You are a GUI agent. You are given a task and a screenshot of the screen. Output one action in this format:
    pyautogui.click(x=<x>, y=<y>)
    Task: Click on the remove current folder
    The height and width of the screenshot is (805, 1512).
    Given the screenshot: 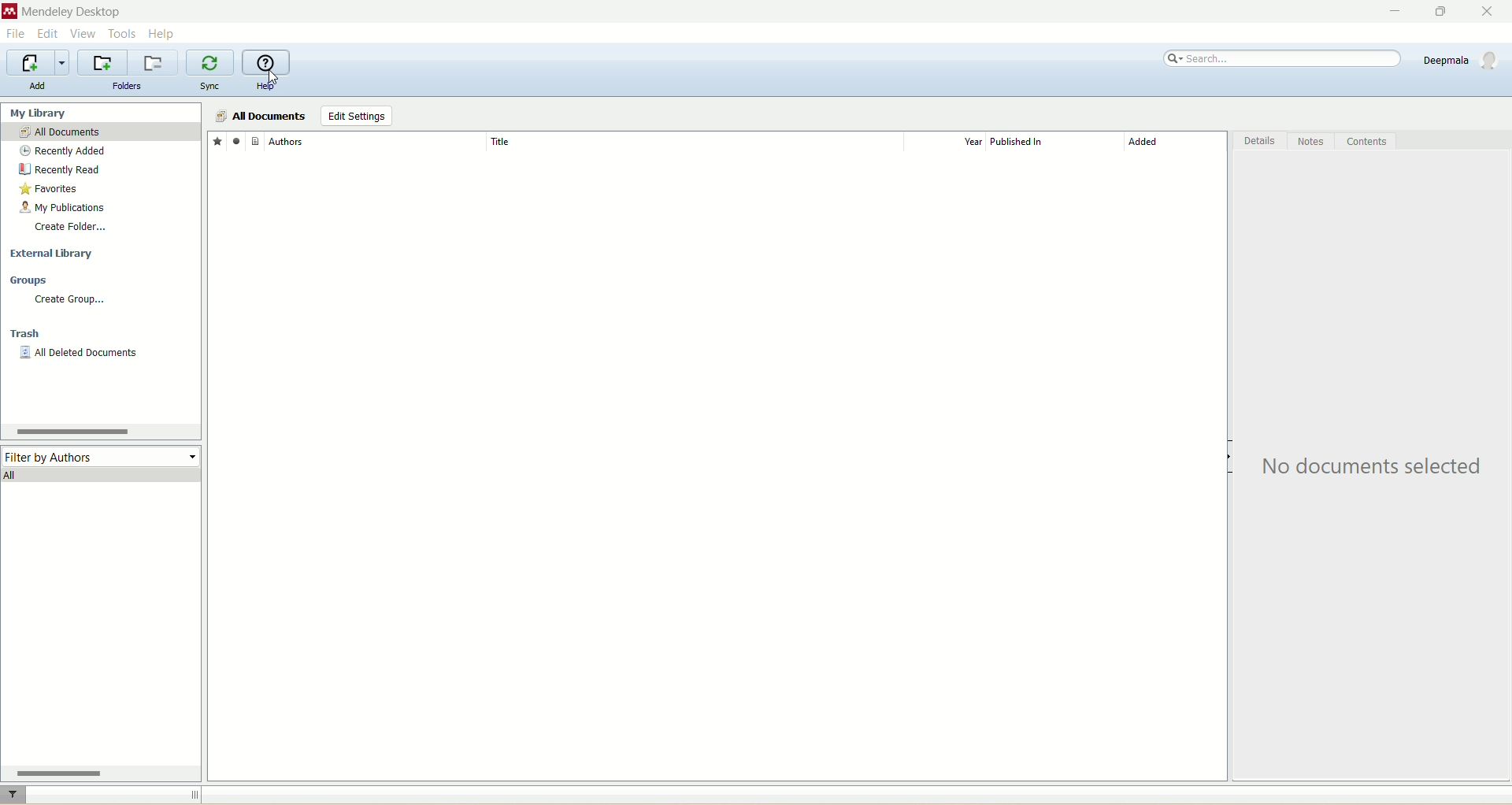 What is the action you would take?
    pyautogui.click(x=152, y=62)
    